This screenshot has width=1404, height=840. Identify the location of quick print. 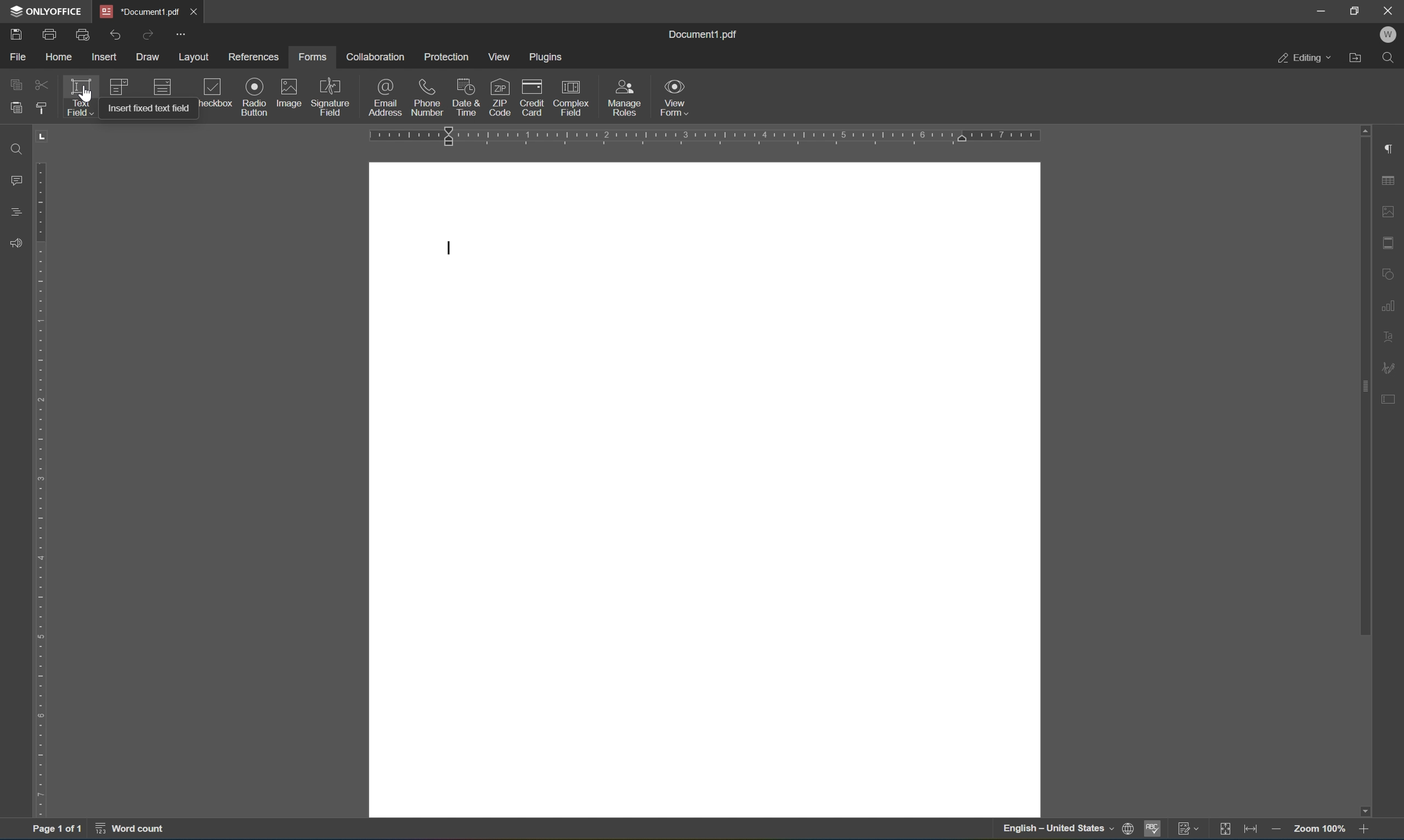
(84, 35).